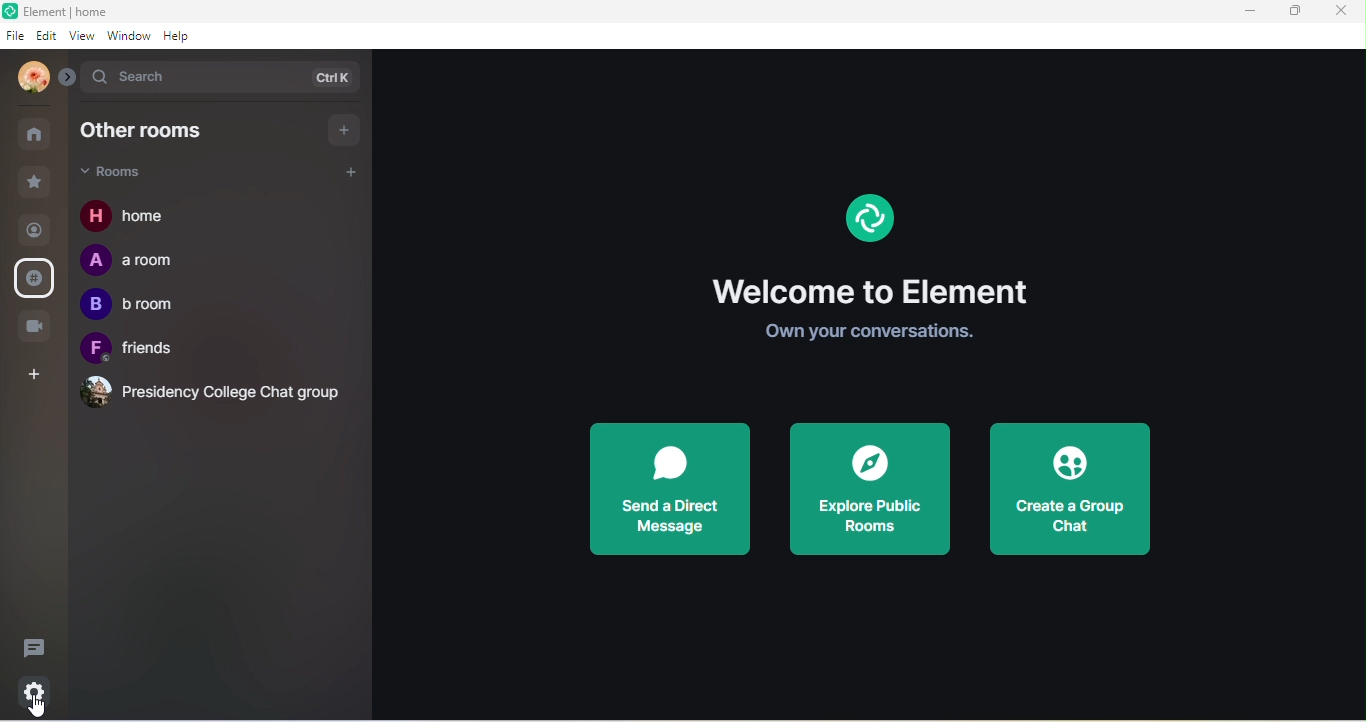 This screenshot has height=722, width=1366. I want to click on people, so click(34, 232).